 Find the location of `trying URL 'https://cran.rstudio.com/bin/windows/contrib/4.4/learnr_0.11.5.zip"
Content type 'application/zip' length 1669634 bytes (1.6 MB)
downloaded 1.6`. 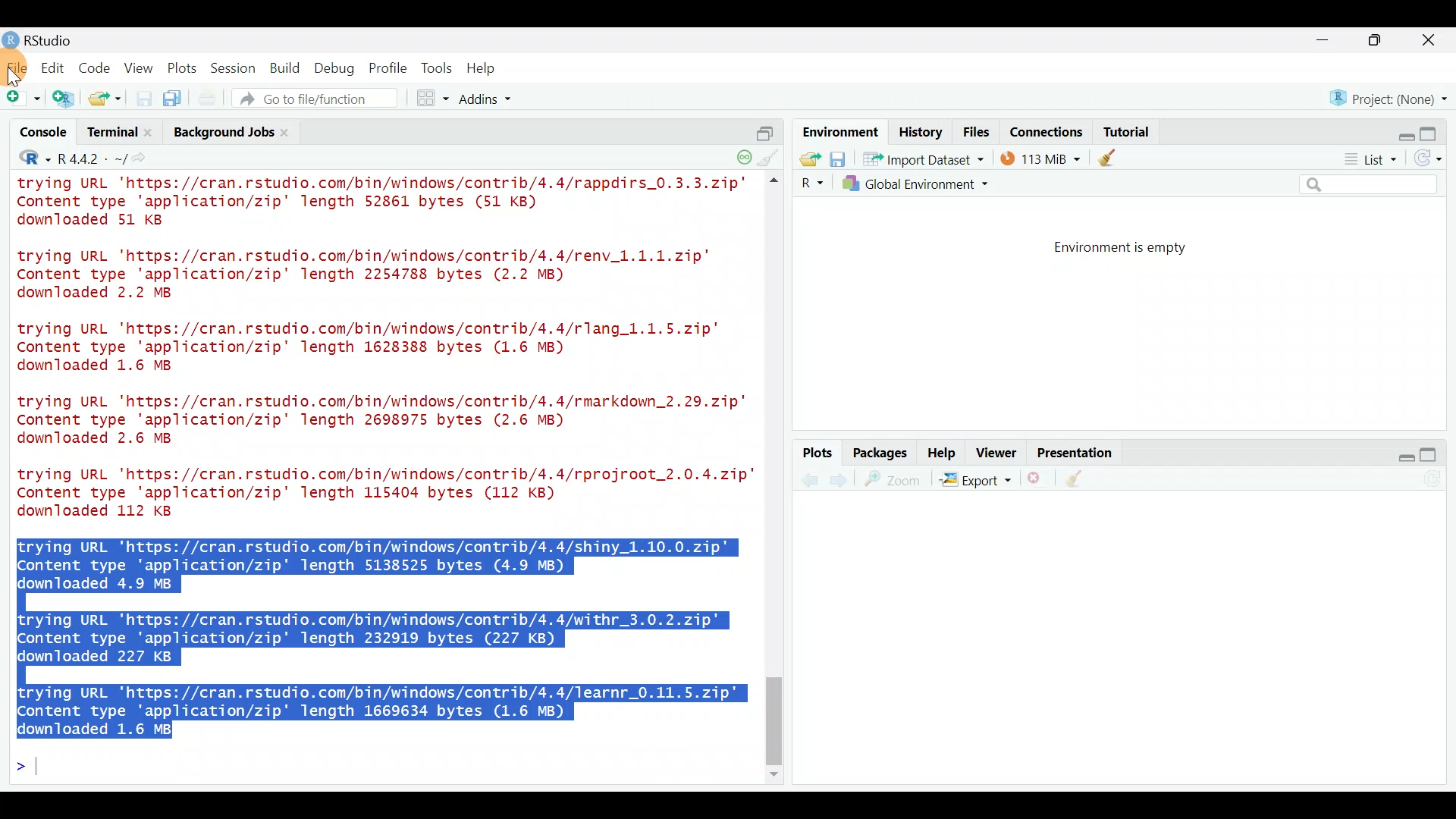

trying URL 'https://cran.rstudio.com/bin/windows/contrib/4.4/learnr_0.11.5.zip"
Content type 'application/zip' length 1669634 bytes (1.6 MB)
downloaded 1.6 is located at coordinates (384, 708).